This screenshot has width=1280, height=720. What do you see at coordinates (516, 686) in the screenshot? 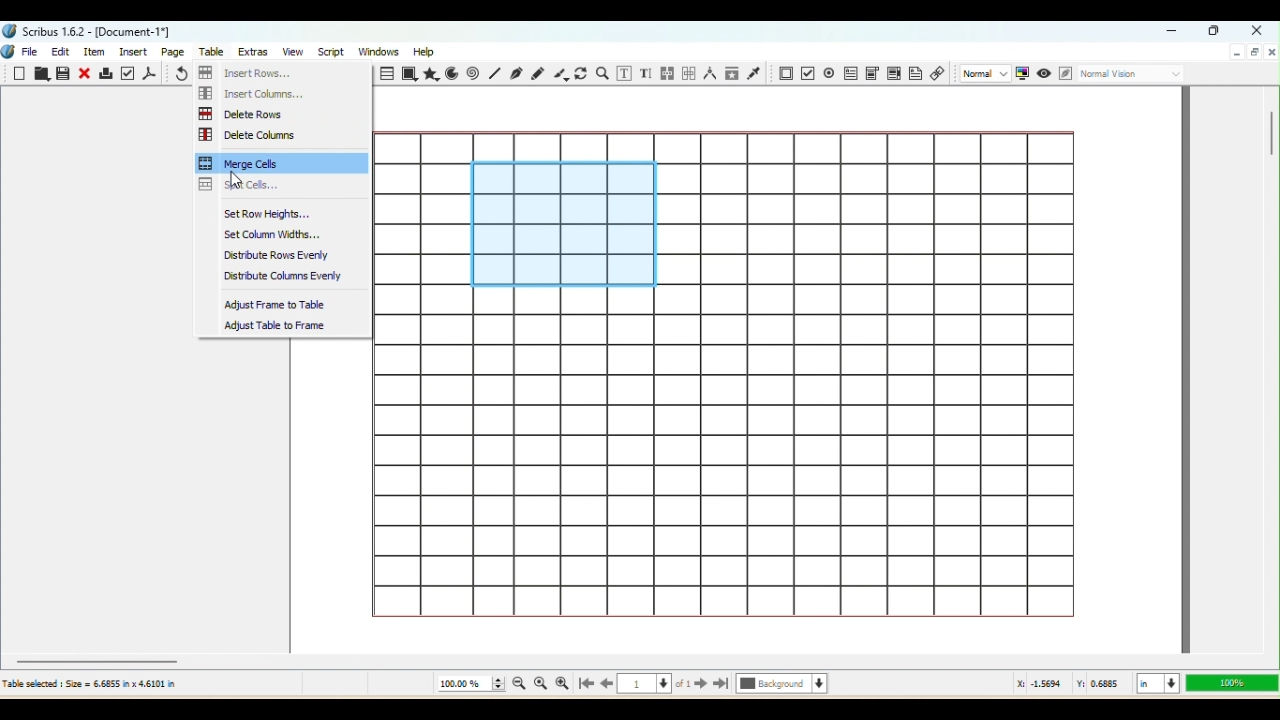
I see `Zoom out` at bounding box center [516, 686].